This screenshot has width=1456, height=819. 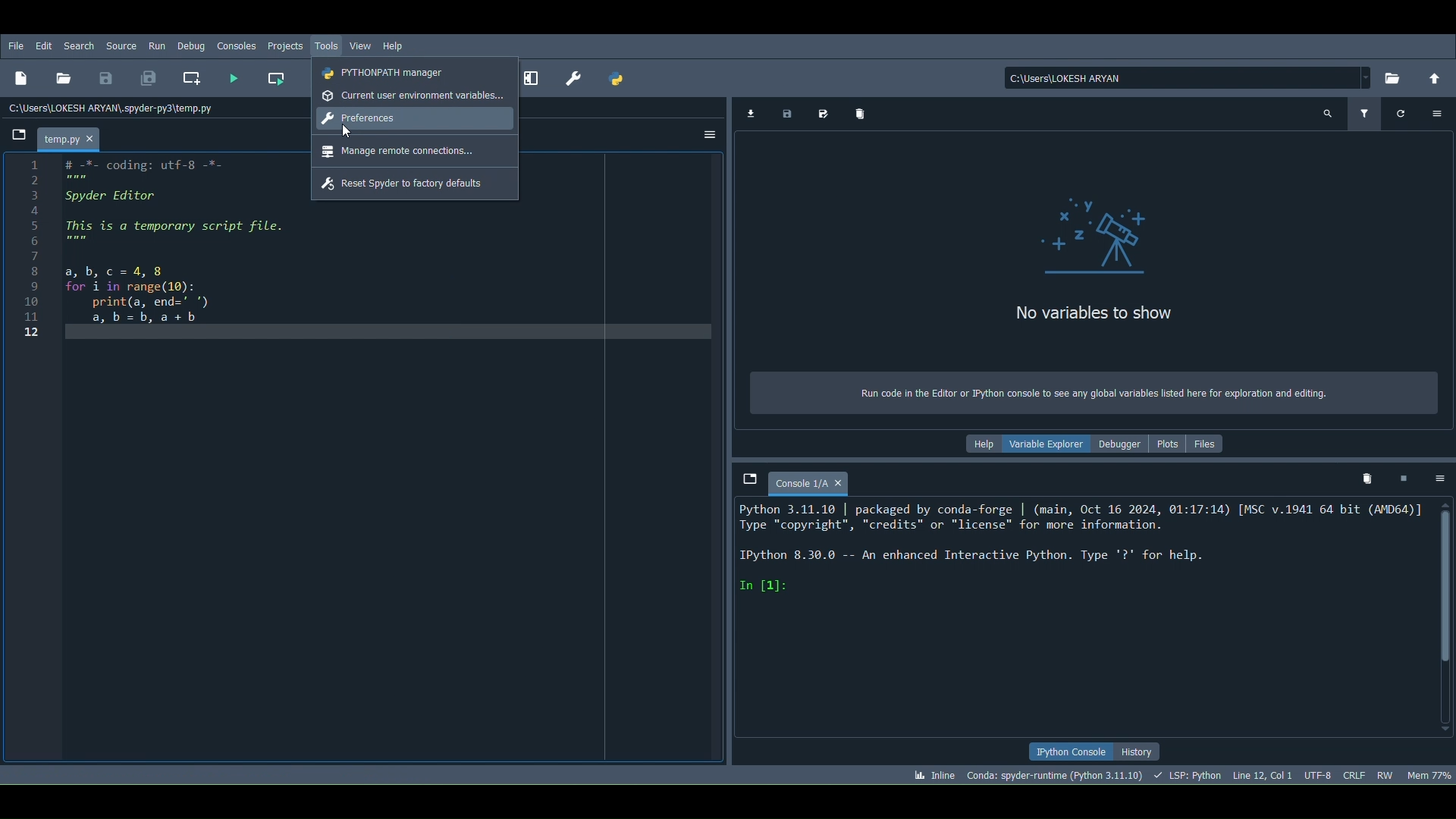 What do you see at coordinates (1401, 113) in the screenshot?
I see `Refresh variables (Ctrl + R)` at bounding box center [1401, 113].